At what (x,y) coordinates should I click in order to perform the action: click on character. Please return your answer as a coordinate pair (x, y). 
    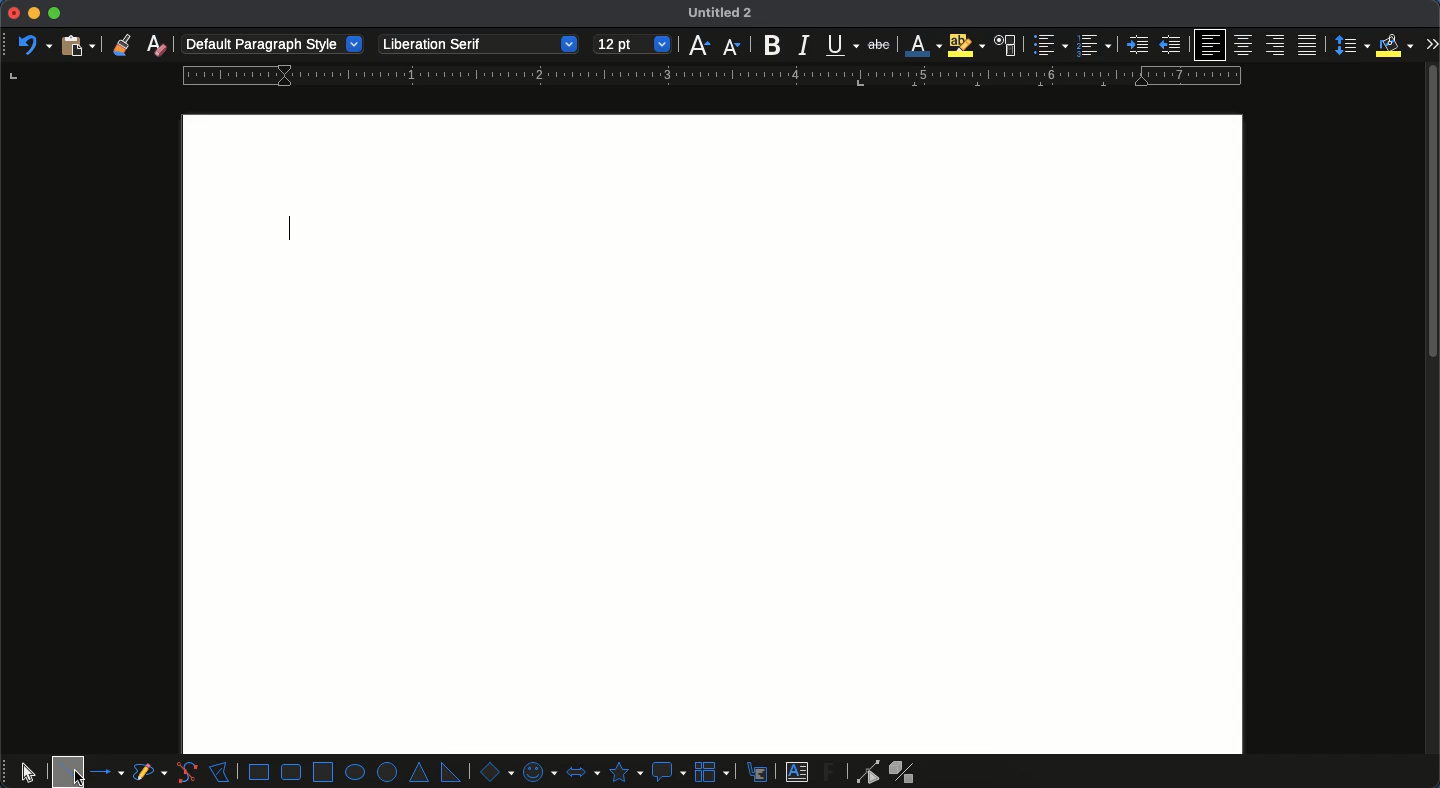
    Looking at the image, I should click on (1006, 45).